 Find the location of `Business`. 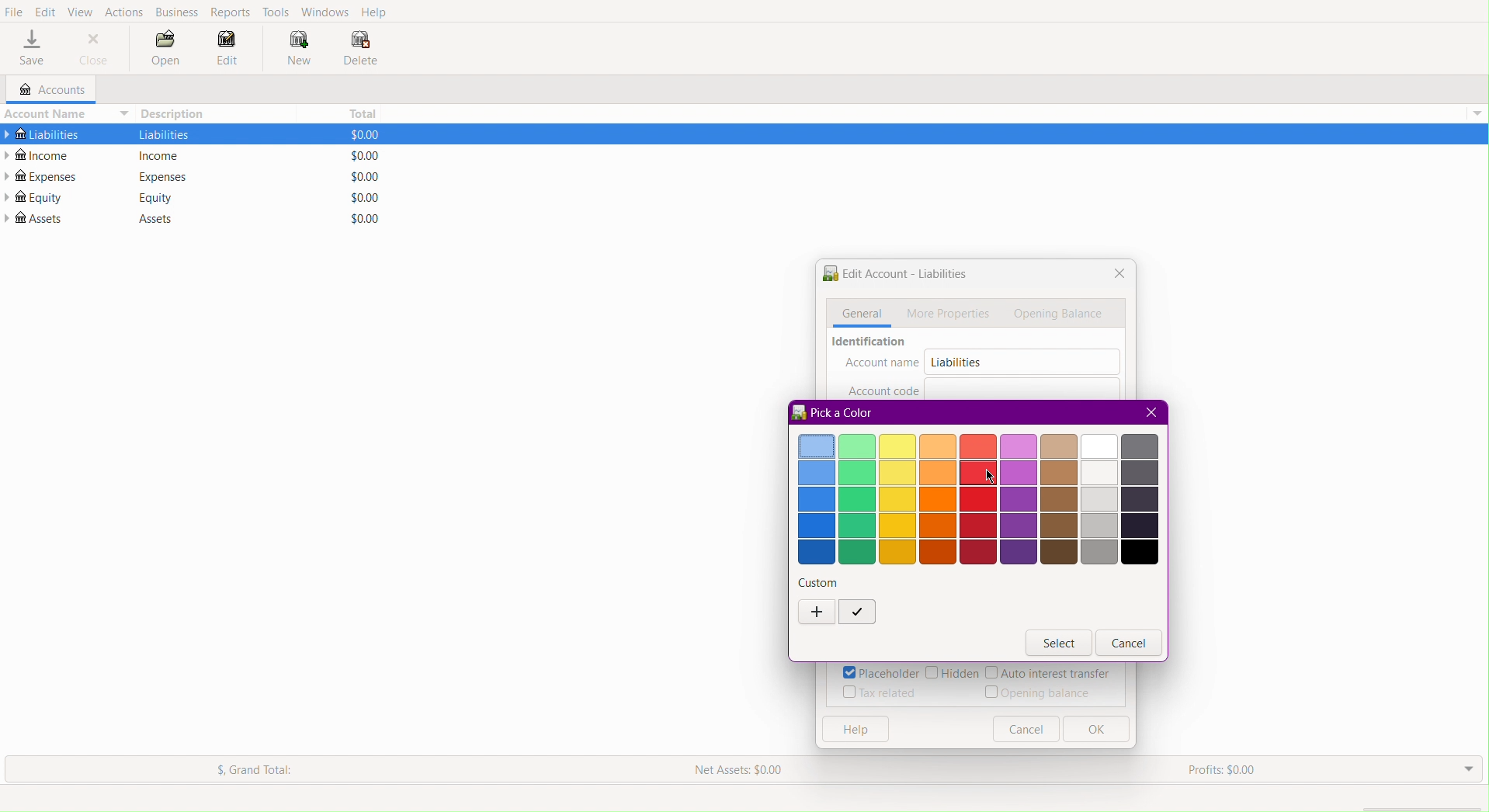

Business is located at coordinates (177, 12).